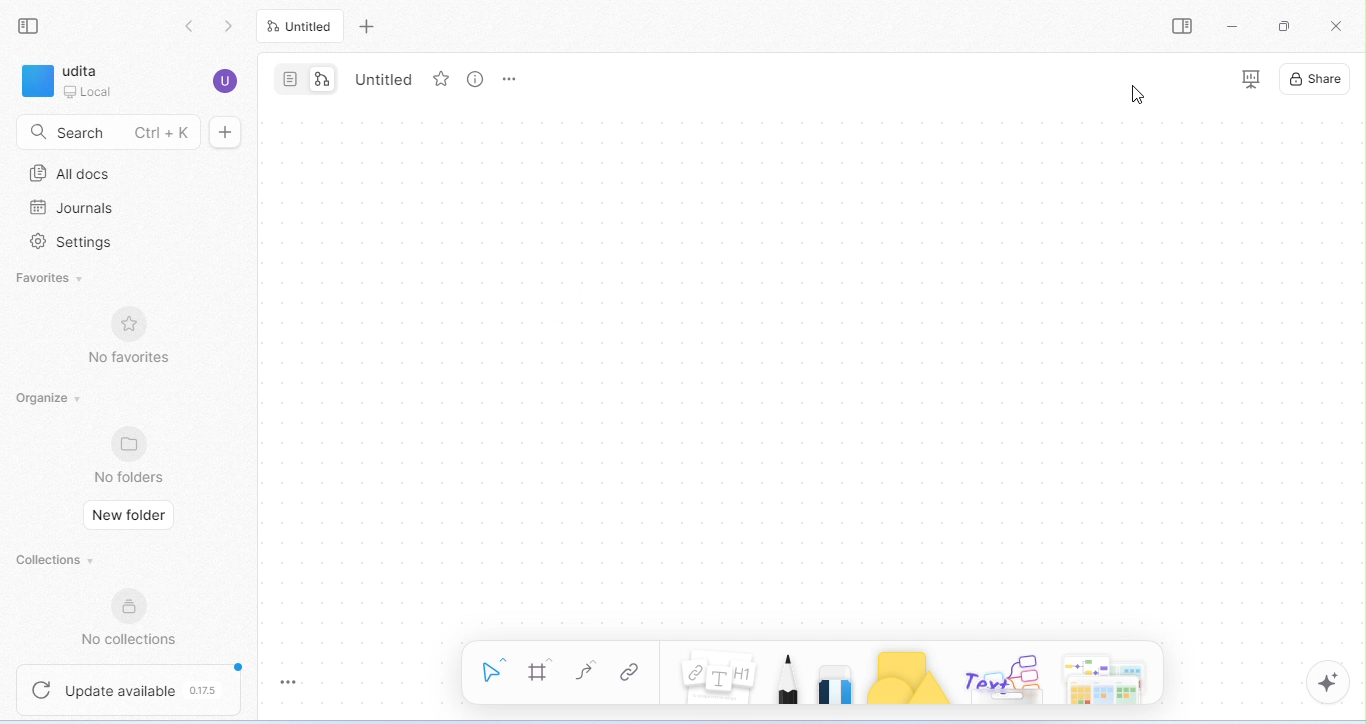 This screenshot has width=1366, height=724. Describe the element at coordinates (1136, 94) in the screenshot. I see `cursor` at that location.